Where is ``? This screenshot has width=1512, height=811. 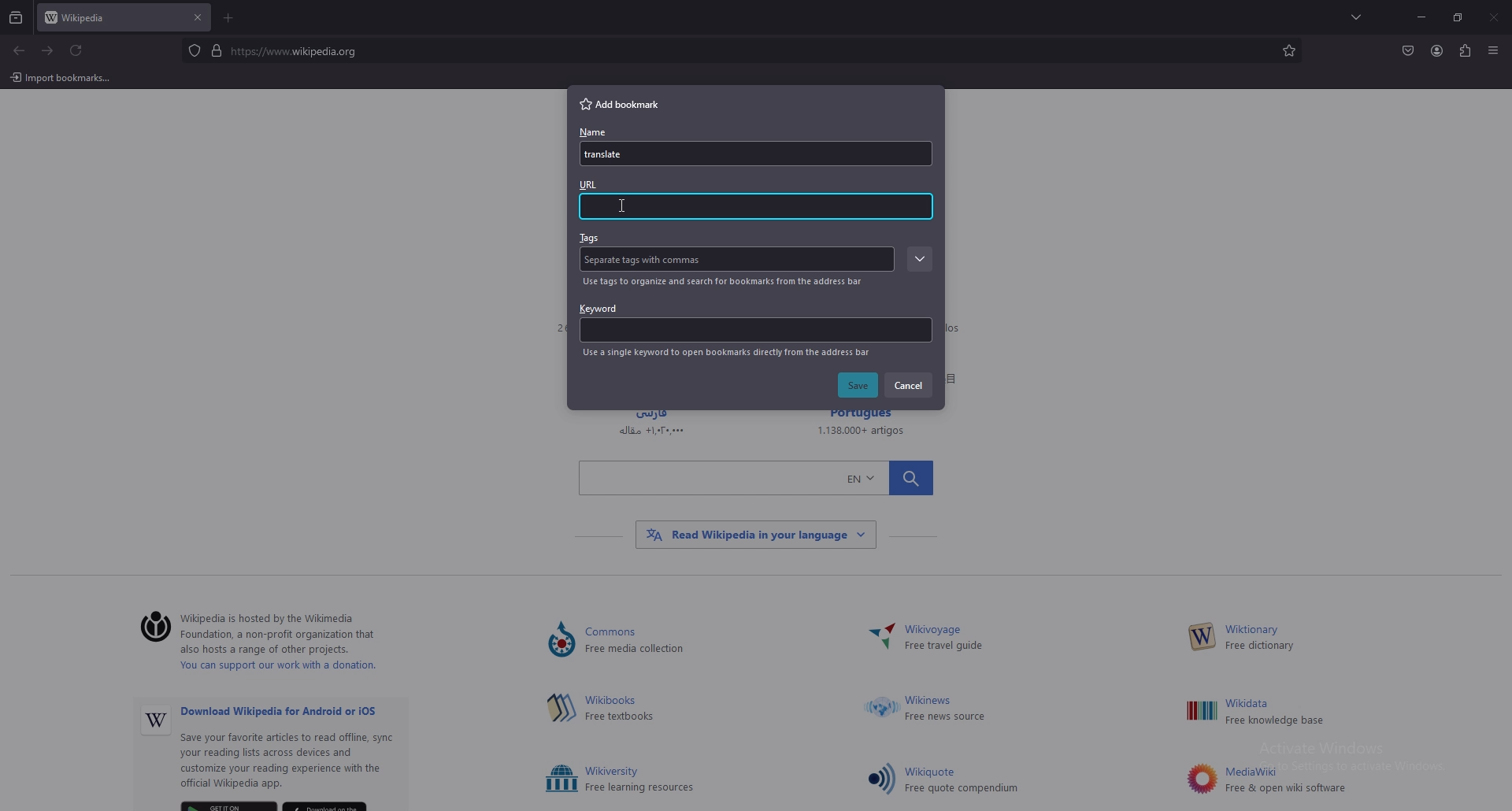
 is located at coordinates (880, 778).